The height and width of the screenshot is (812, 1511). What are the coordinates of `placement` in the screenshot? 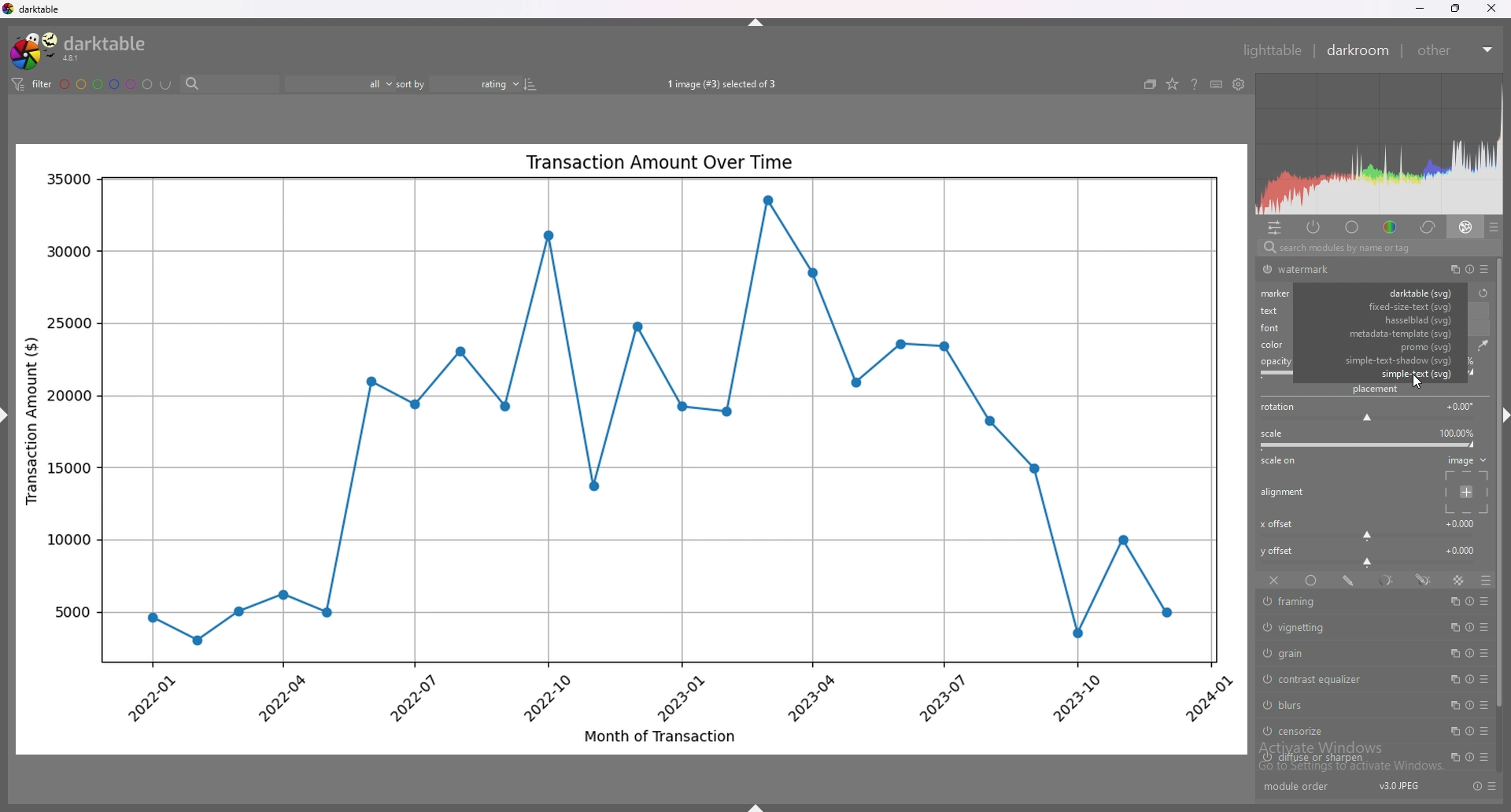 It's located at (1375, 389).